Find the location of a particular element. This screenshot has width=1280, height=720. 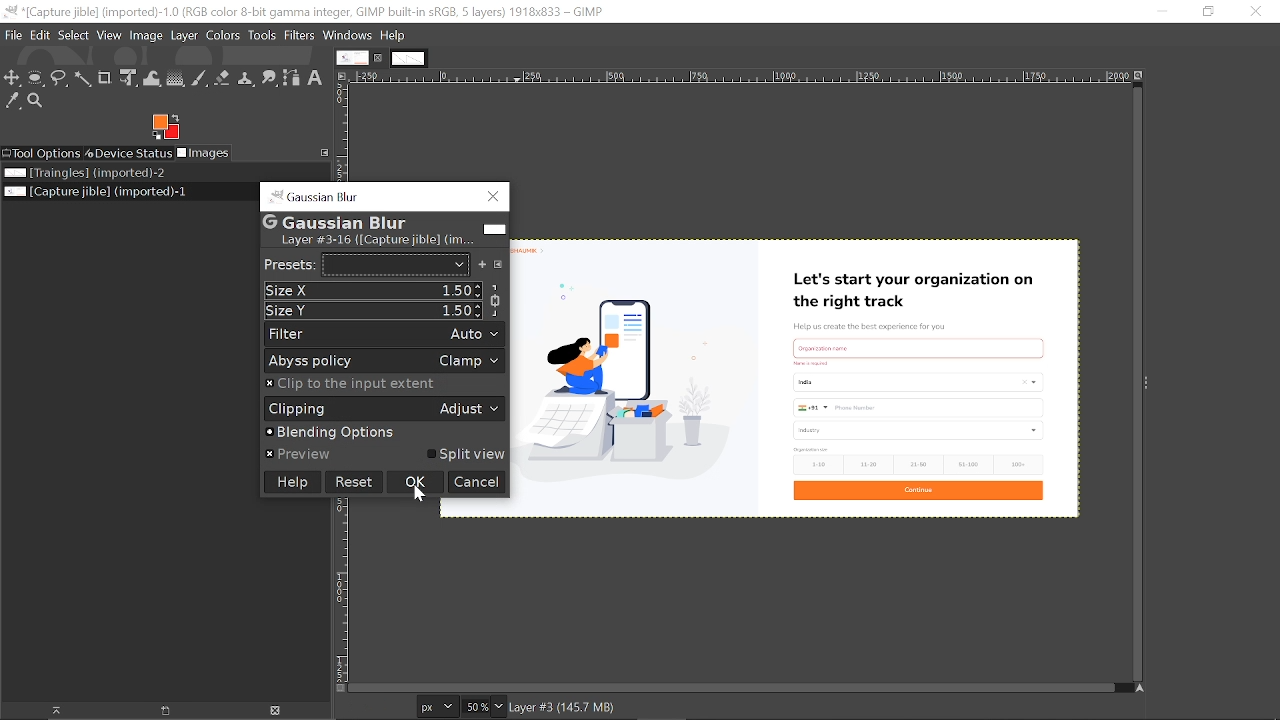

Current image Units  is located at coordinates (437, 706).